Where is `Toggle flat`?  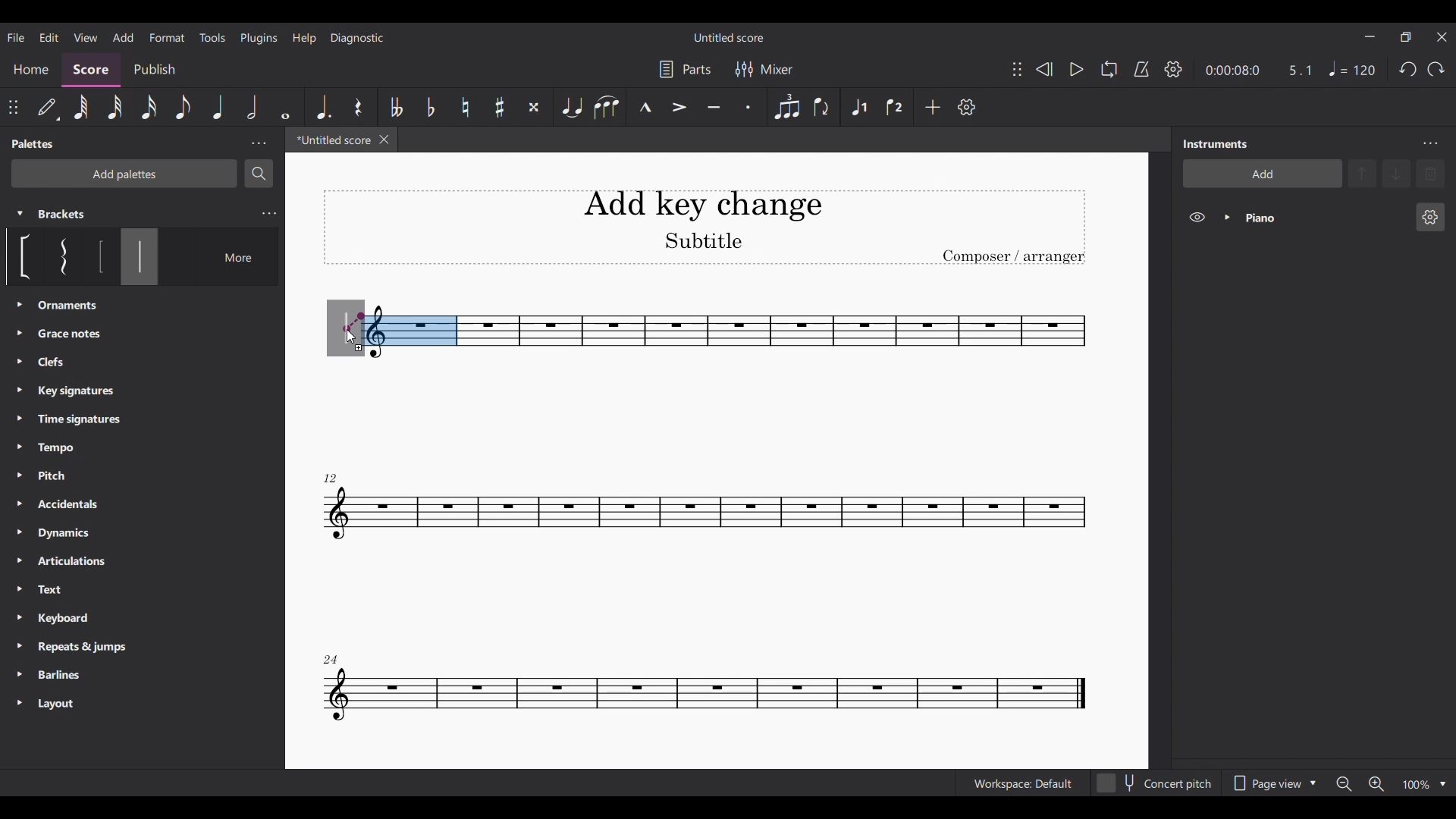 Toggle flat is located at coordinates (431, 108).